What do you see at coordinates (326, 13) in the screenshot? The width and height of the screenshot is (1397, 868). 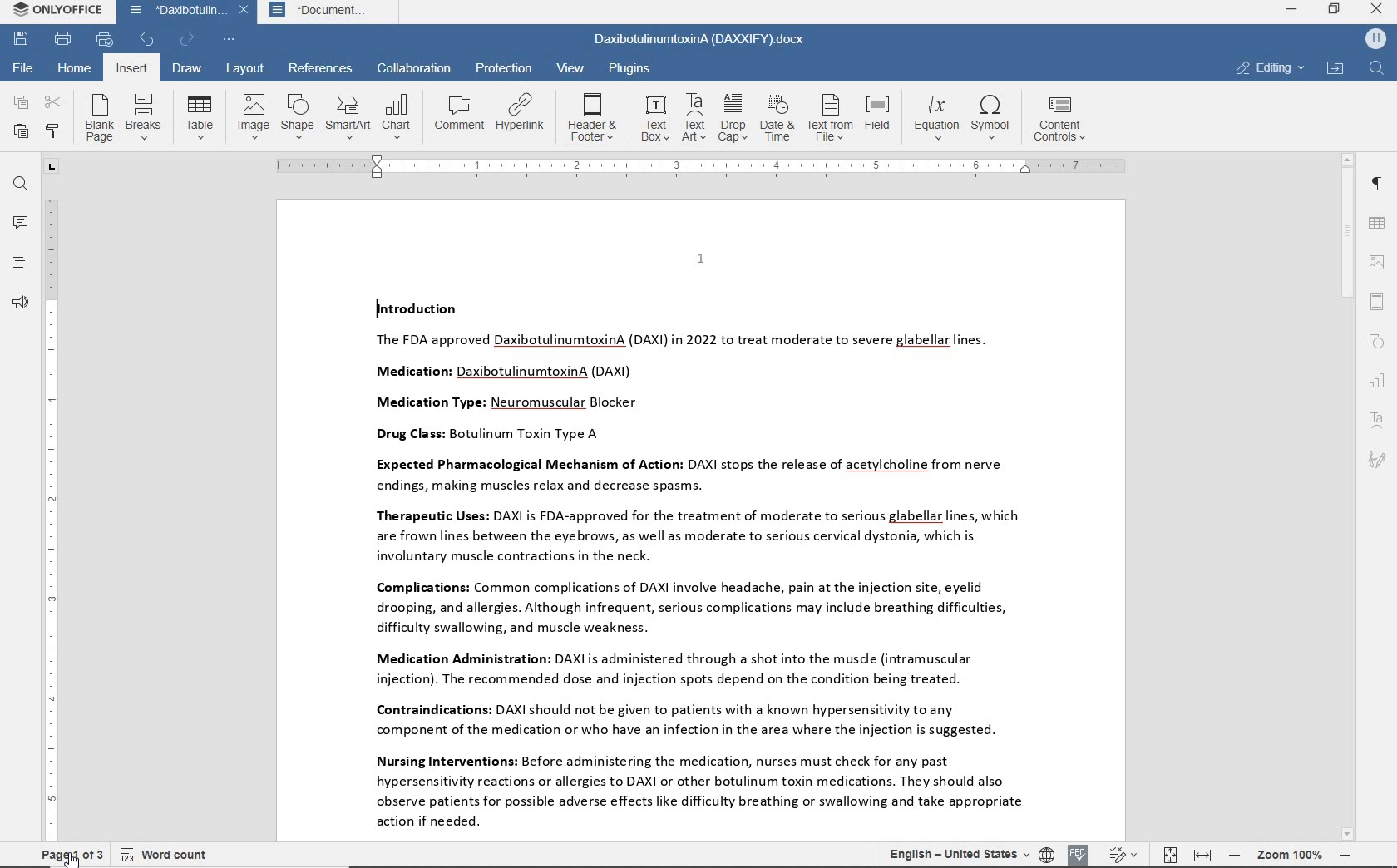 I see `*Document...` at bounding box center [326, 13].